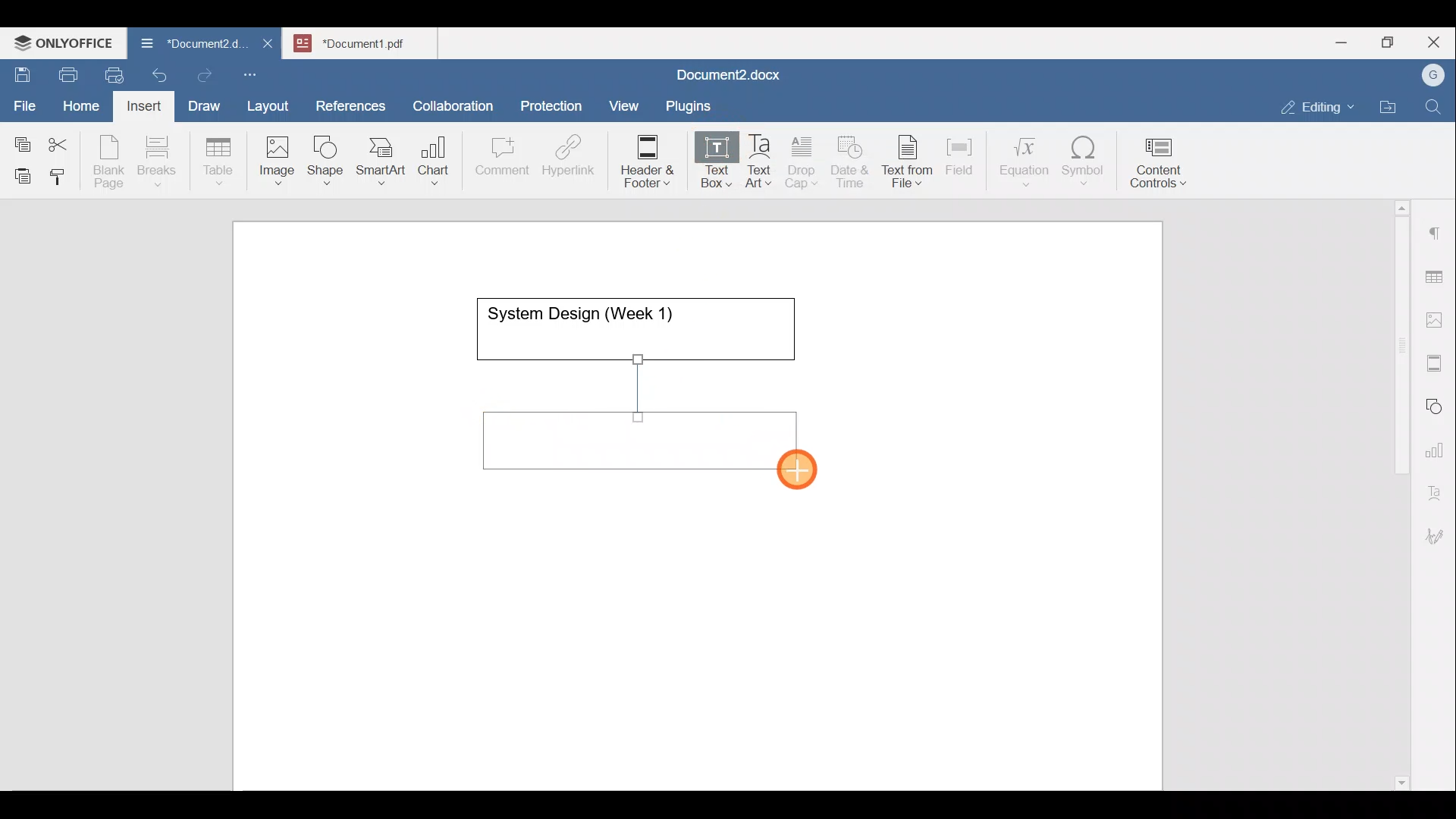  What do you see at coordinates (369, 41) in the screenshot?
I see `Document name` at bounding box center [369, 41].